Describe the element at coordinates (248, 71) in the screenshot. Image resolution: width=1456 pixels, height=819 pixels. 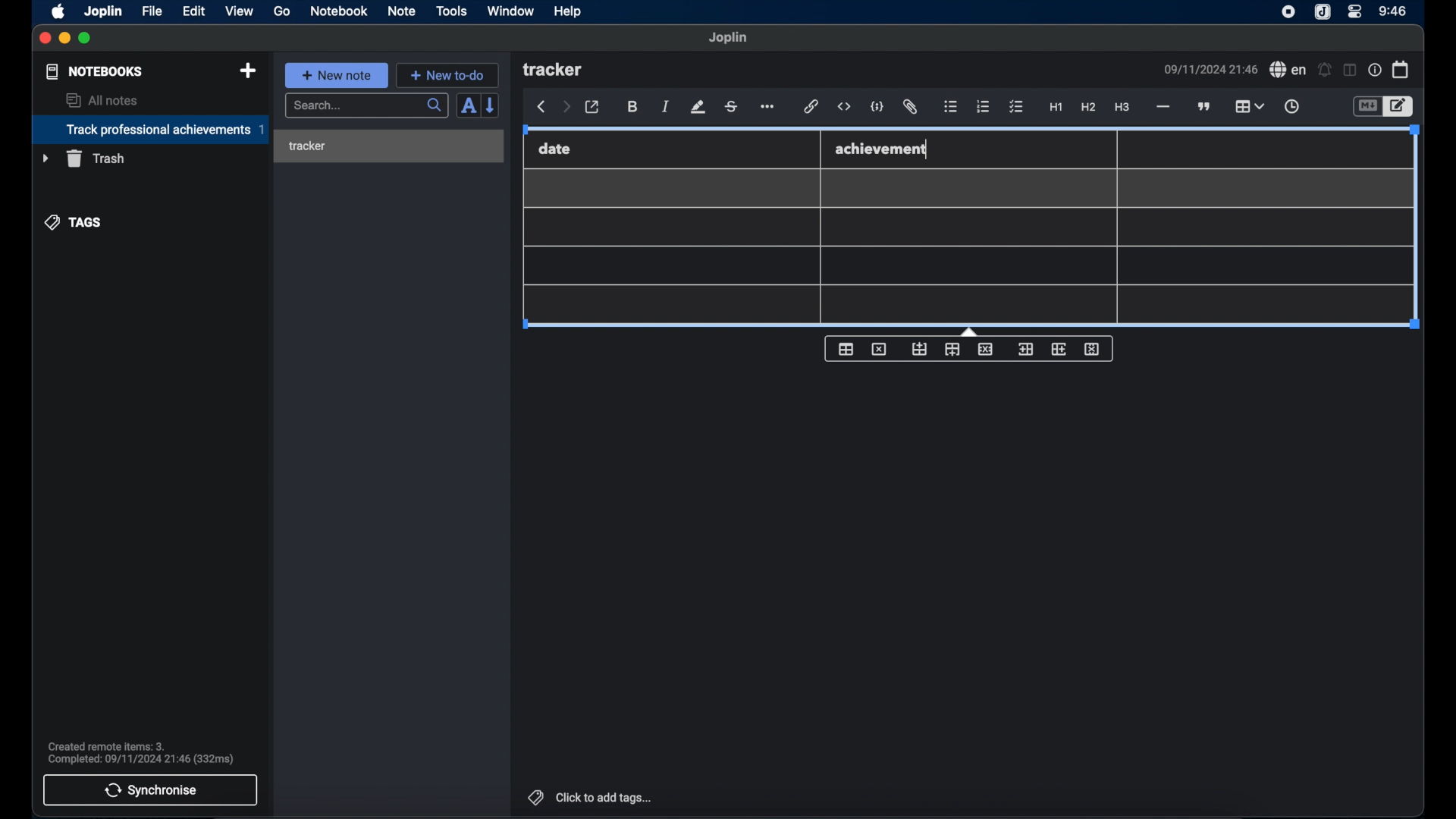
I see `new notebook` at that location.